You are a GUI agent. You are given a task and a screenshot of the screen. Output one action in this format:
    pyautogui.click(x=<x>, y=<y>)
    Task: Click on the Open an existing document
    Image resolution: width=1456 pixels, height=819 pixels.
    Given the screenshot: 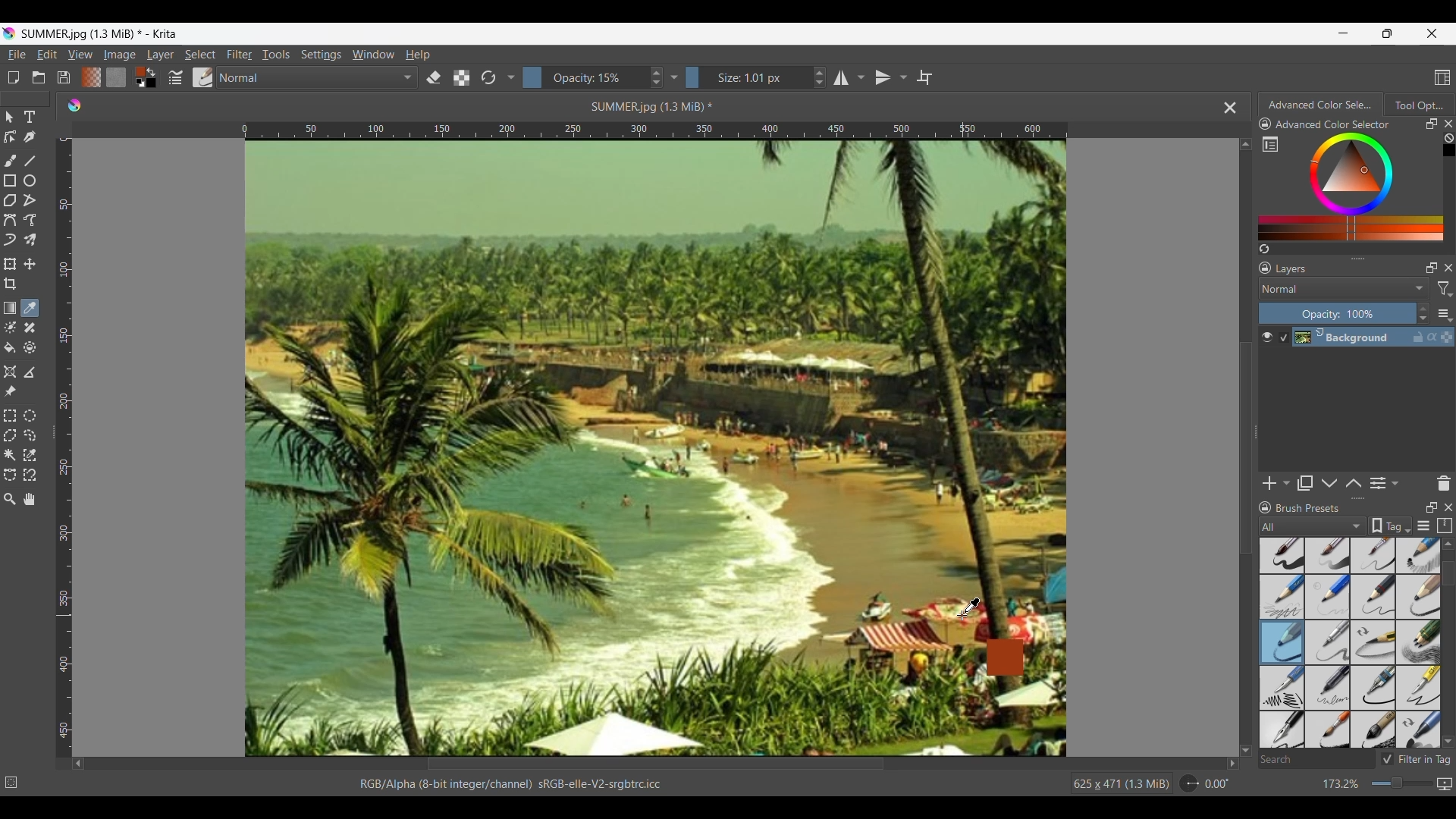 What is the action you would take?
    pyautogui.click(x=39, y=78)
    